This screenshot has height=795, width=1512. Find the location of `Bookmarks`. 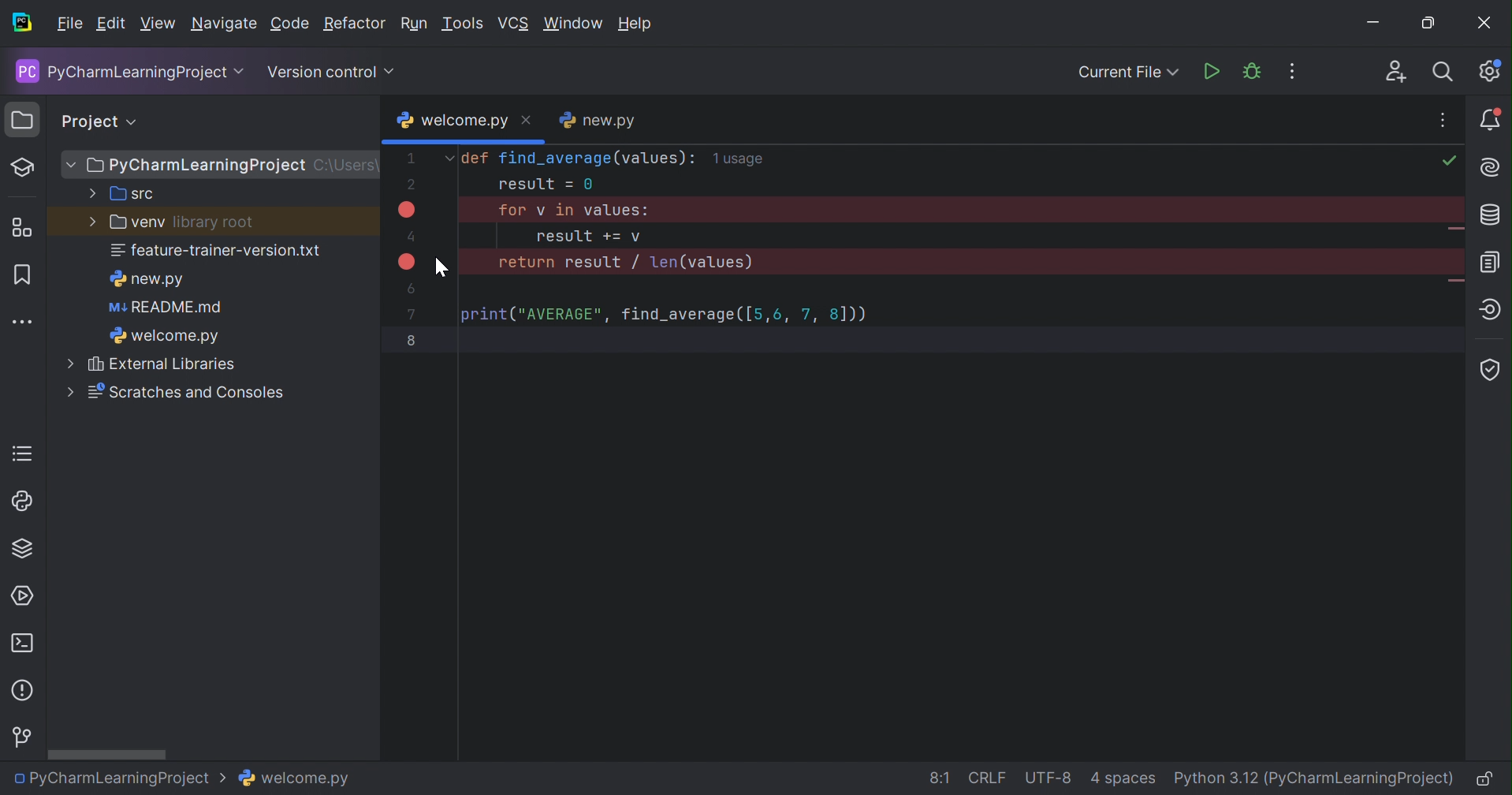

Bookmarks is located at coordinates (24, 275).